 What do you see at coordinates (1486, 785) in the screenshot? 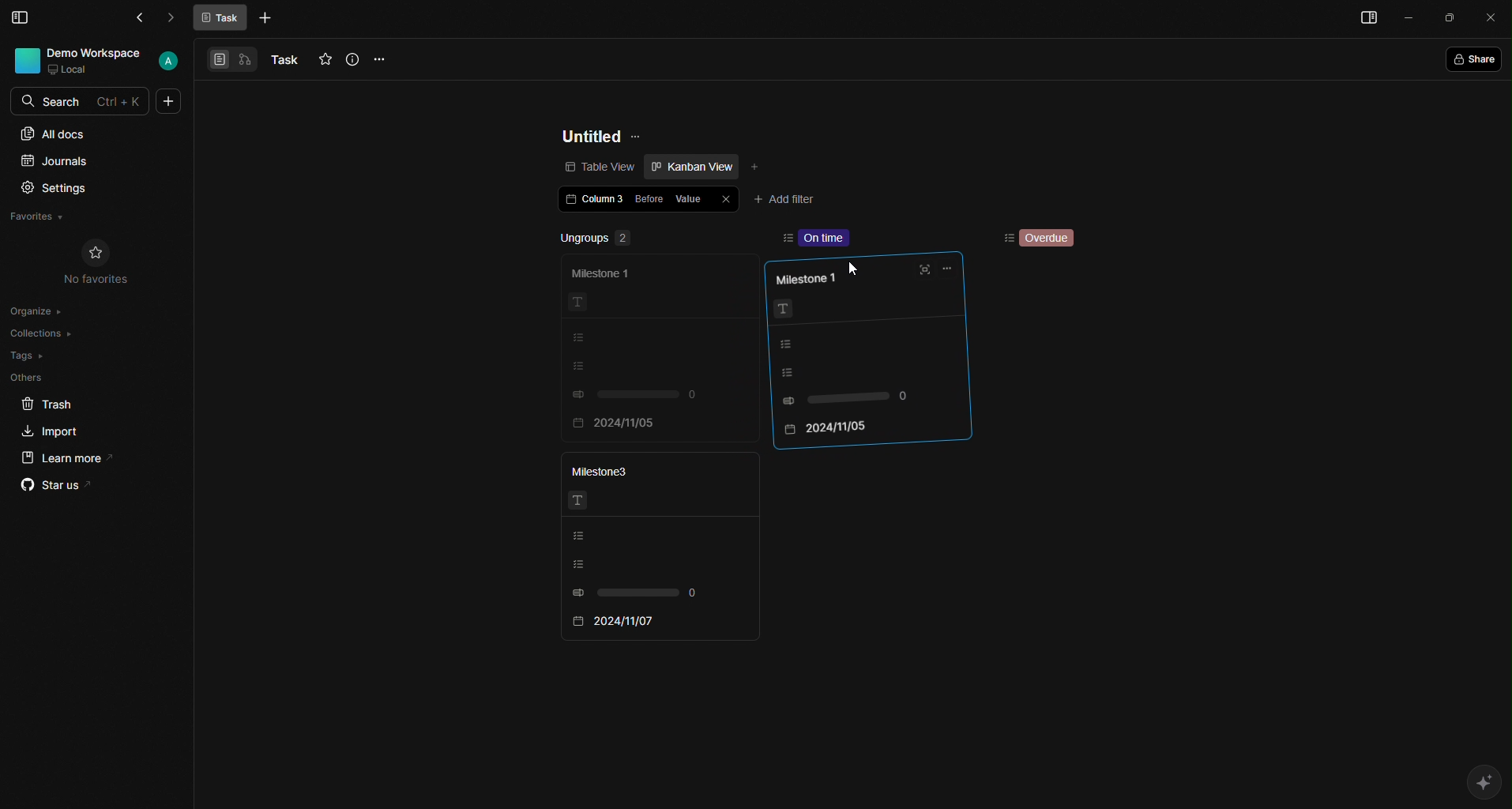
I see `AI` at bounding box center [1486, 785].